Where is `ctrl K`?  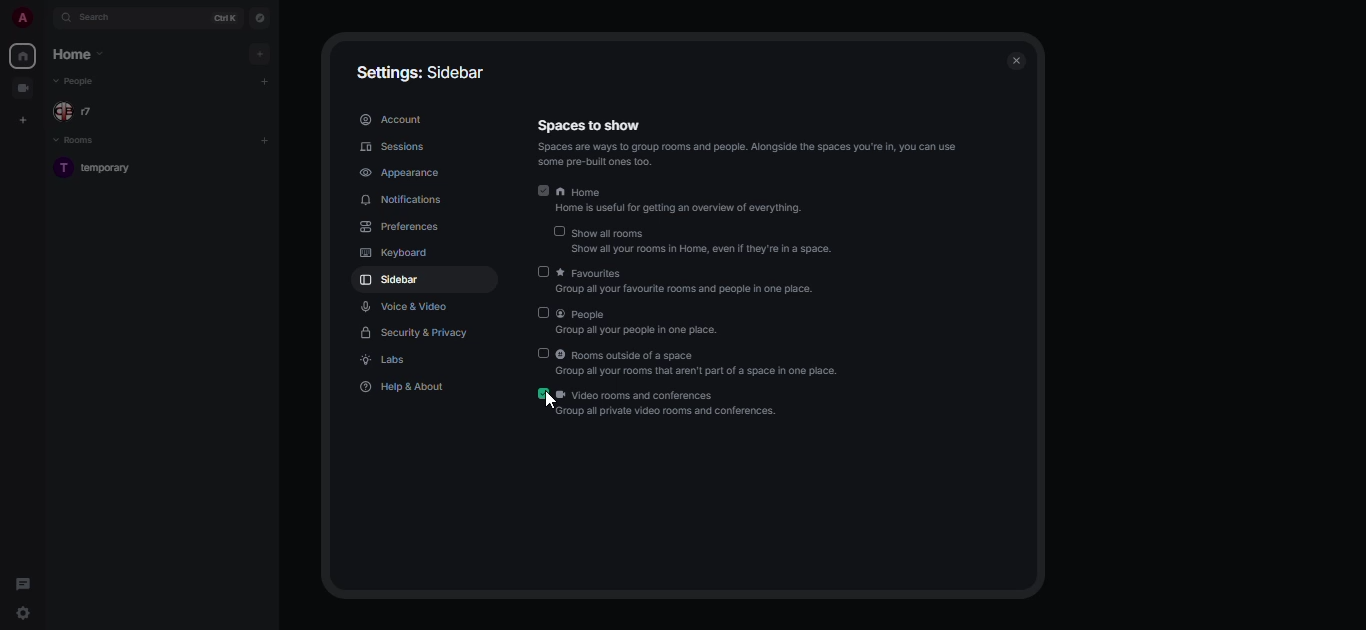 ctrl K is located at coordinates (220, 18).